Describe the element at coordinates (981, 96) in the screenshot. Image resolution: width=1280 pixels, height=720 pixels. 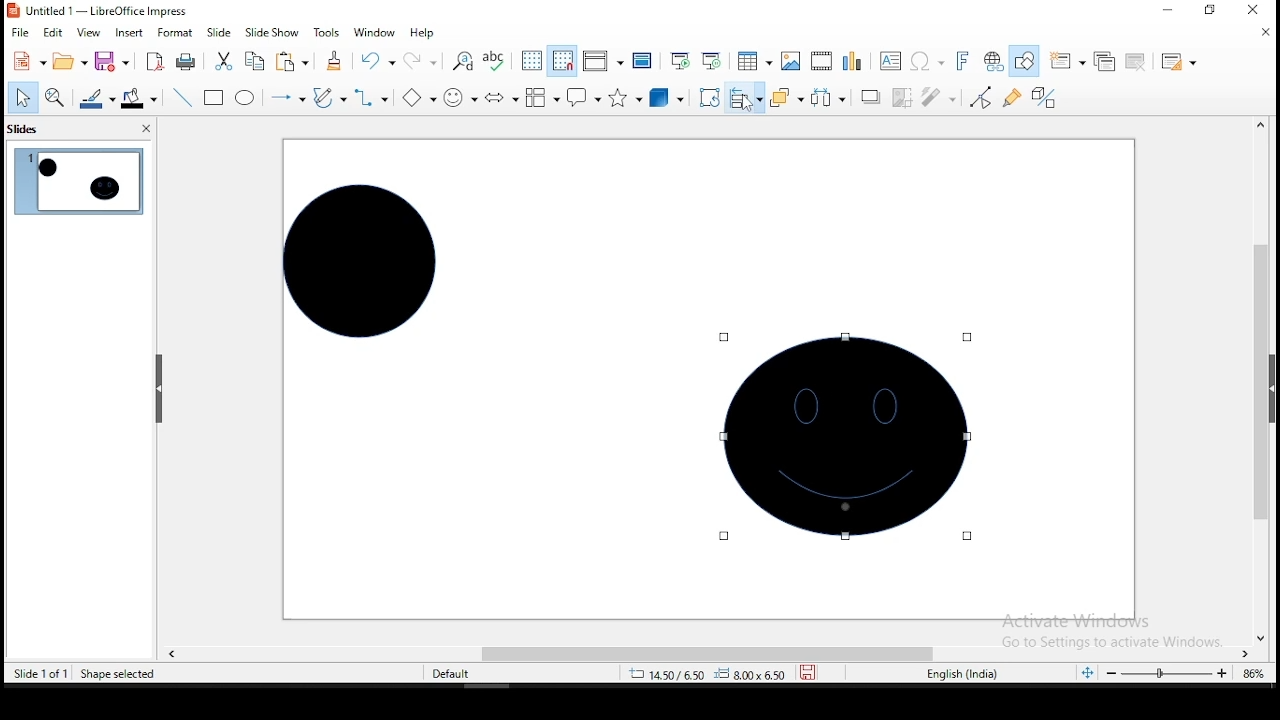
I see `toggle point edit mode` at that location.